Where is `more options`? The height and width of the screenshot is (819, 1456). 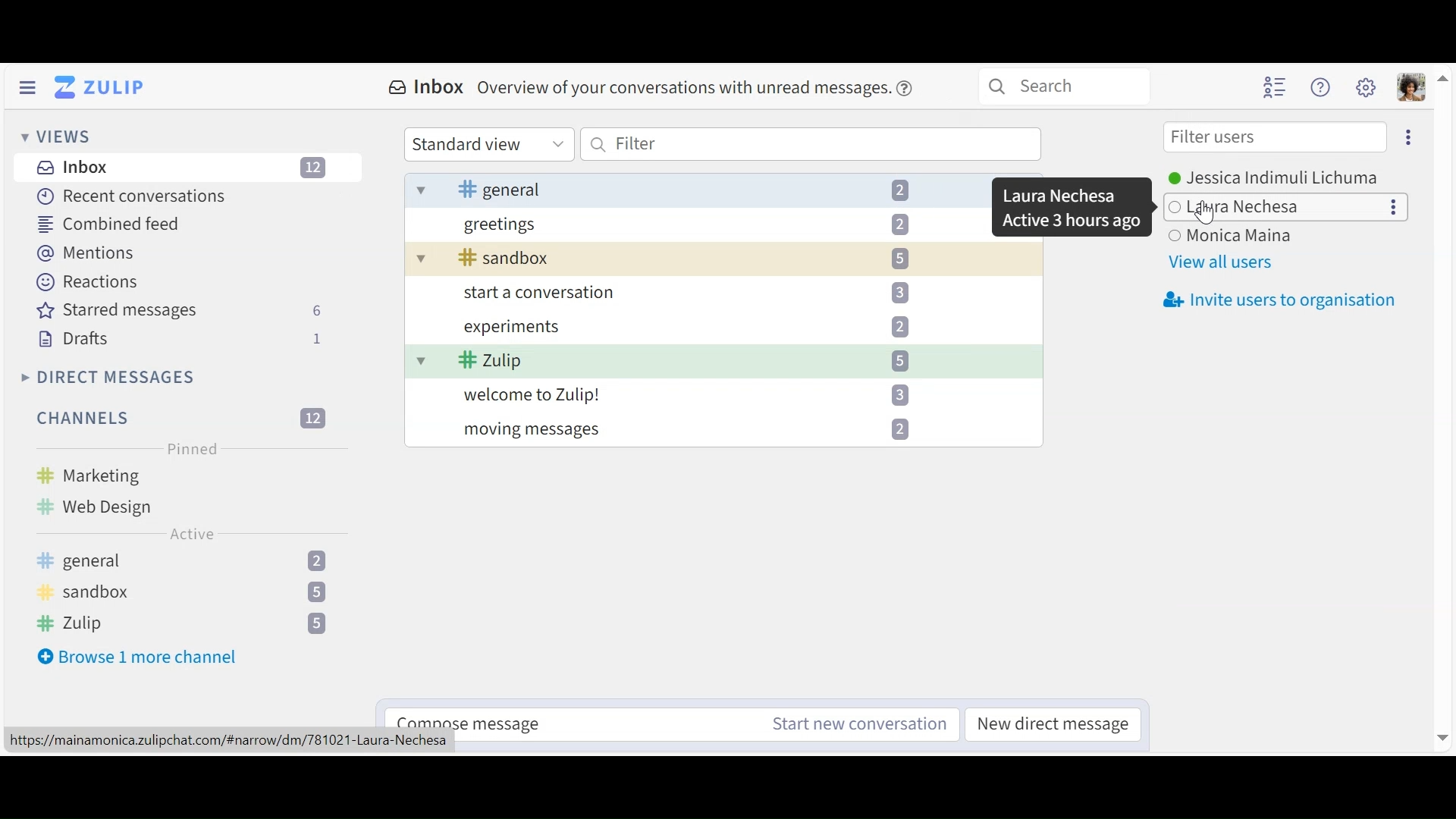
more options is located at coordinates (1398, 207).